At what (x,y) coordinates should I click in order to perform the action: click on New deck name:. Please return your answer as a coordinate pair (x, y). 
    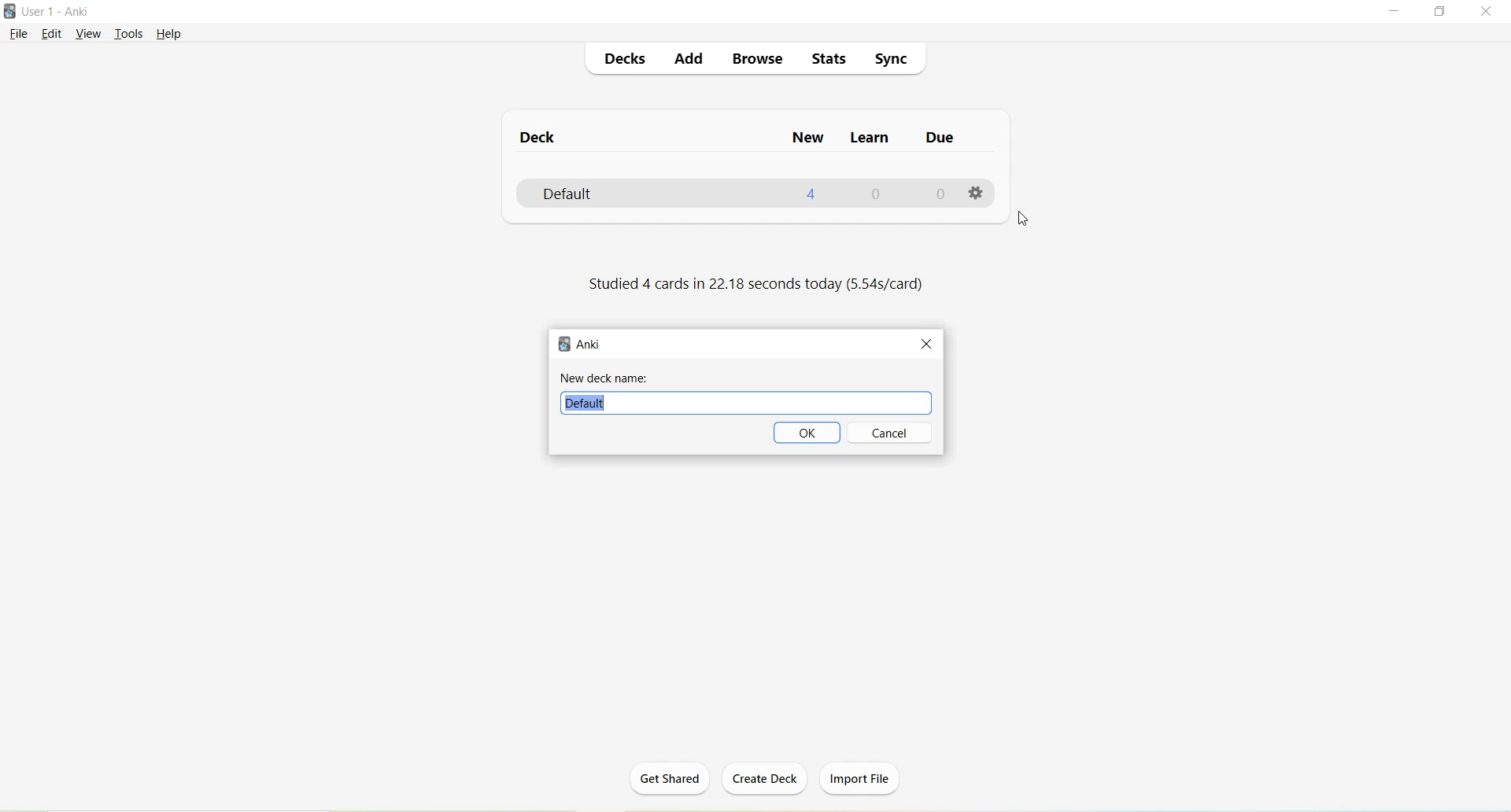
    Looking at the image, I should click on (605, 378).